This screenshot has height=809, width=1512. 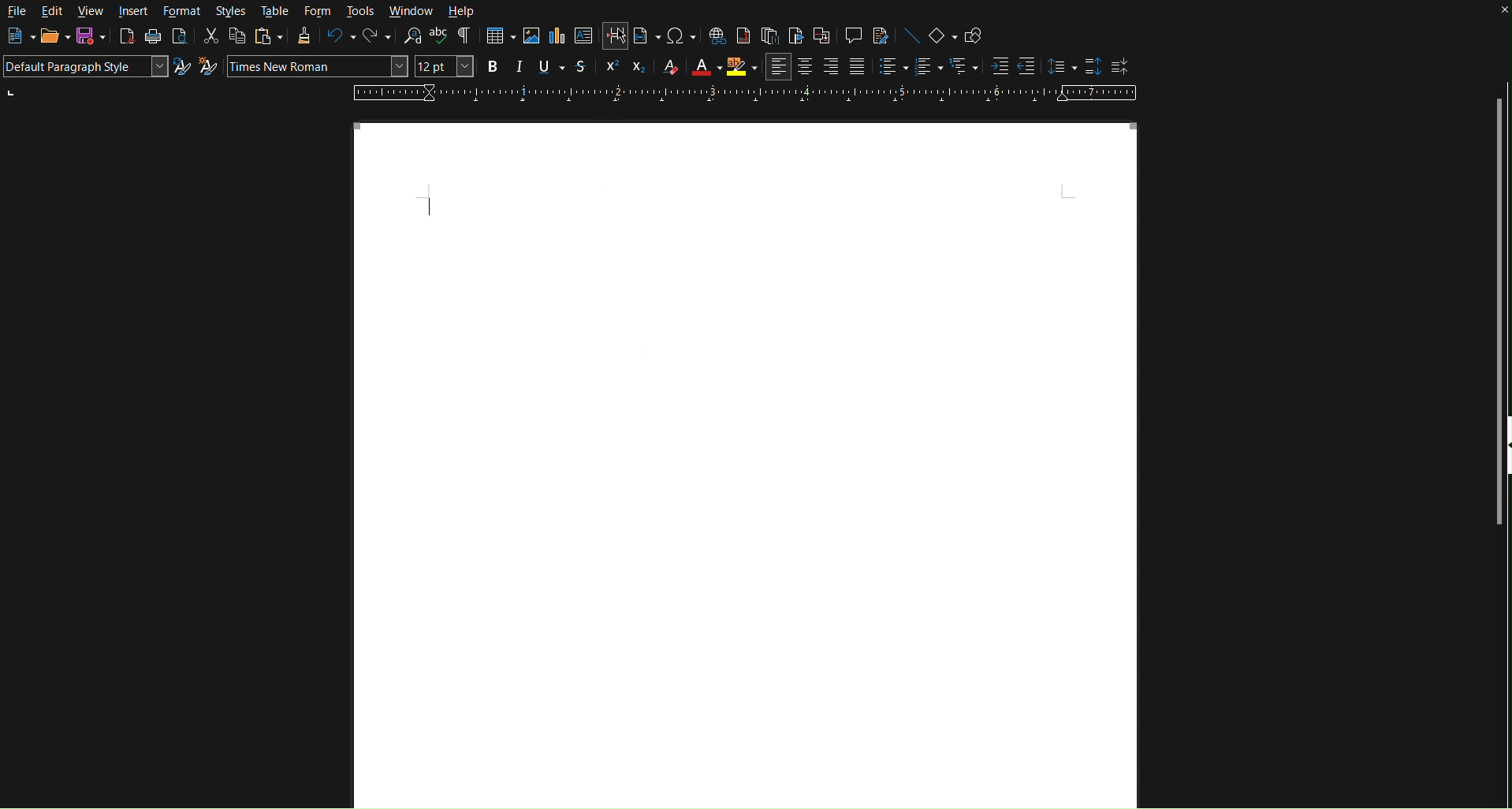 I want to click on Insert Special Characters, so click(x=676, y=36).